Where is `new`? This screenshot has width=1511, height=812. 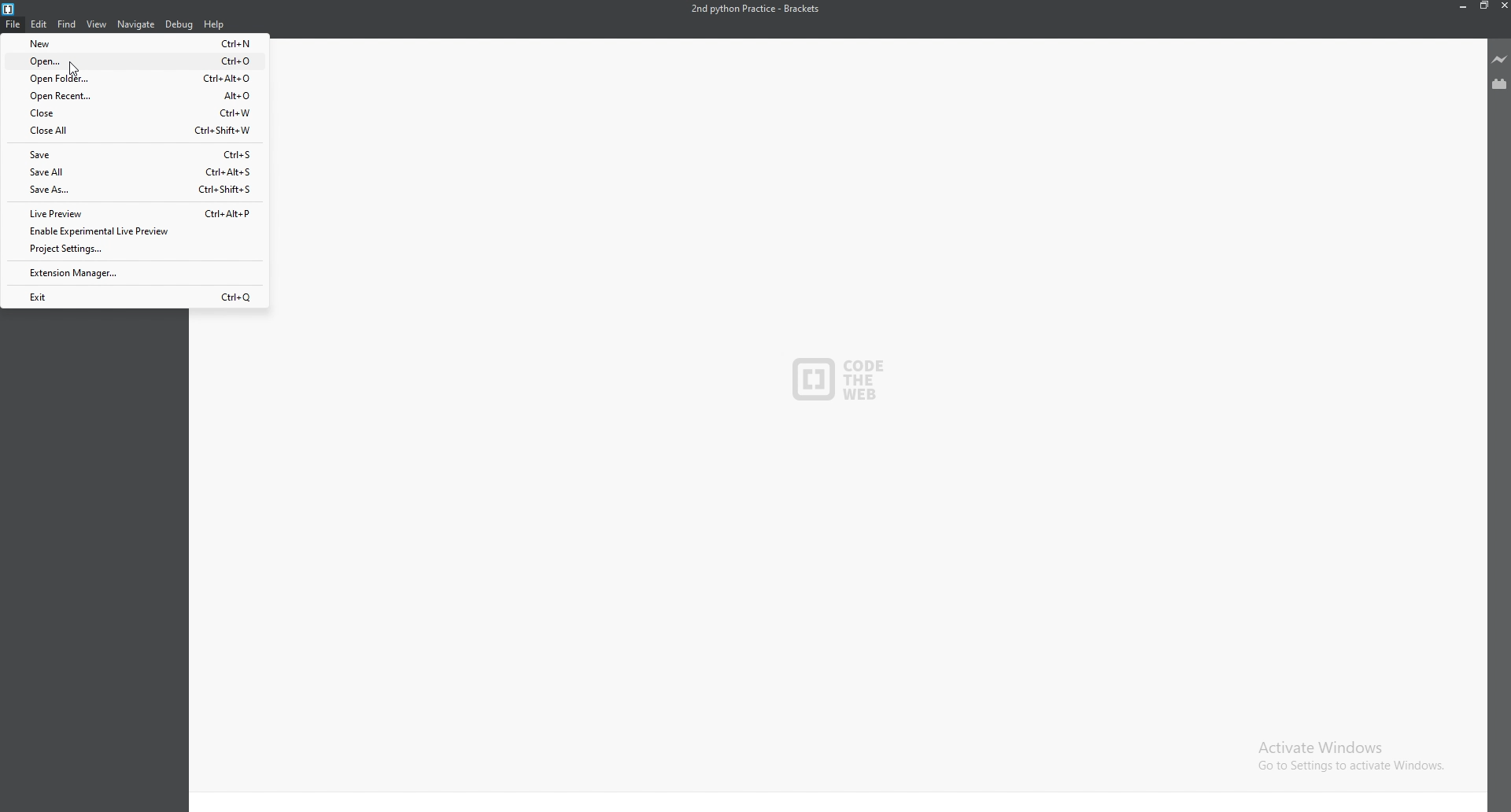
new is located at coordinates (133, 44).